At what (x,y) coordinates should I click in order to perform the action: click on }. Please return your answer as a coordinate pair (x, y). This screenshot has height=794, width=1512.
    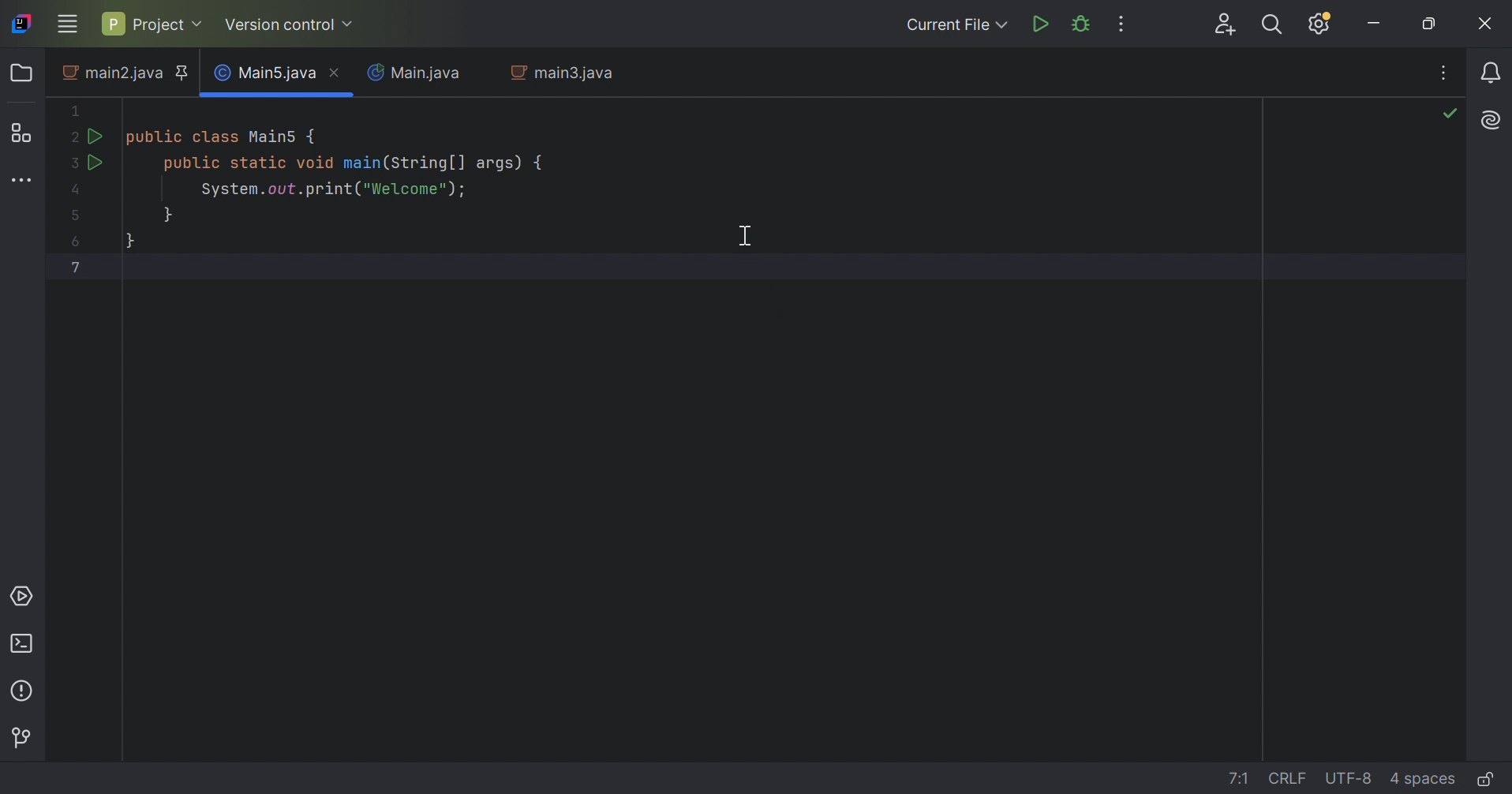
    Looking at the image, I should click on (174, 214).